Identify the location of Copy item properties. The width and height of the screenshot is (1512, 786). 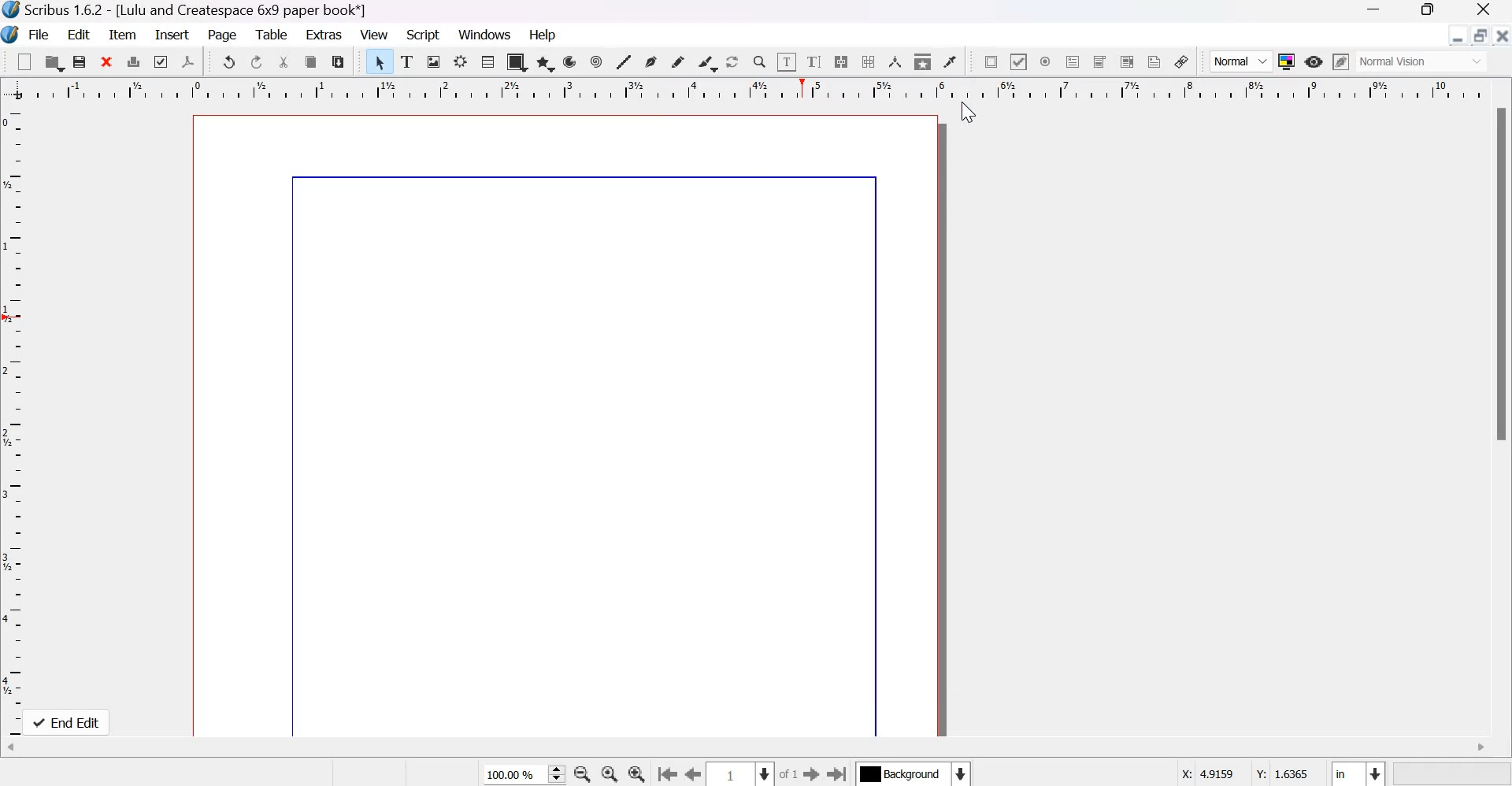
(923, 61).